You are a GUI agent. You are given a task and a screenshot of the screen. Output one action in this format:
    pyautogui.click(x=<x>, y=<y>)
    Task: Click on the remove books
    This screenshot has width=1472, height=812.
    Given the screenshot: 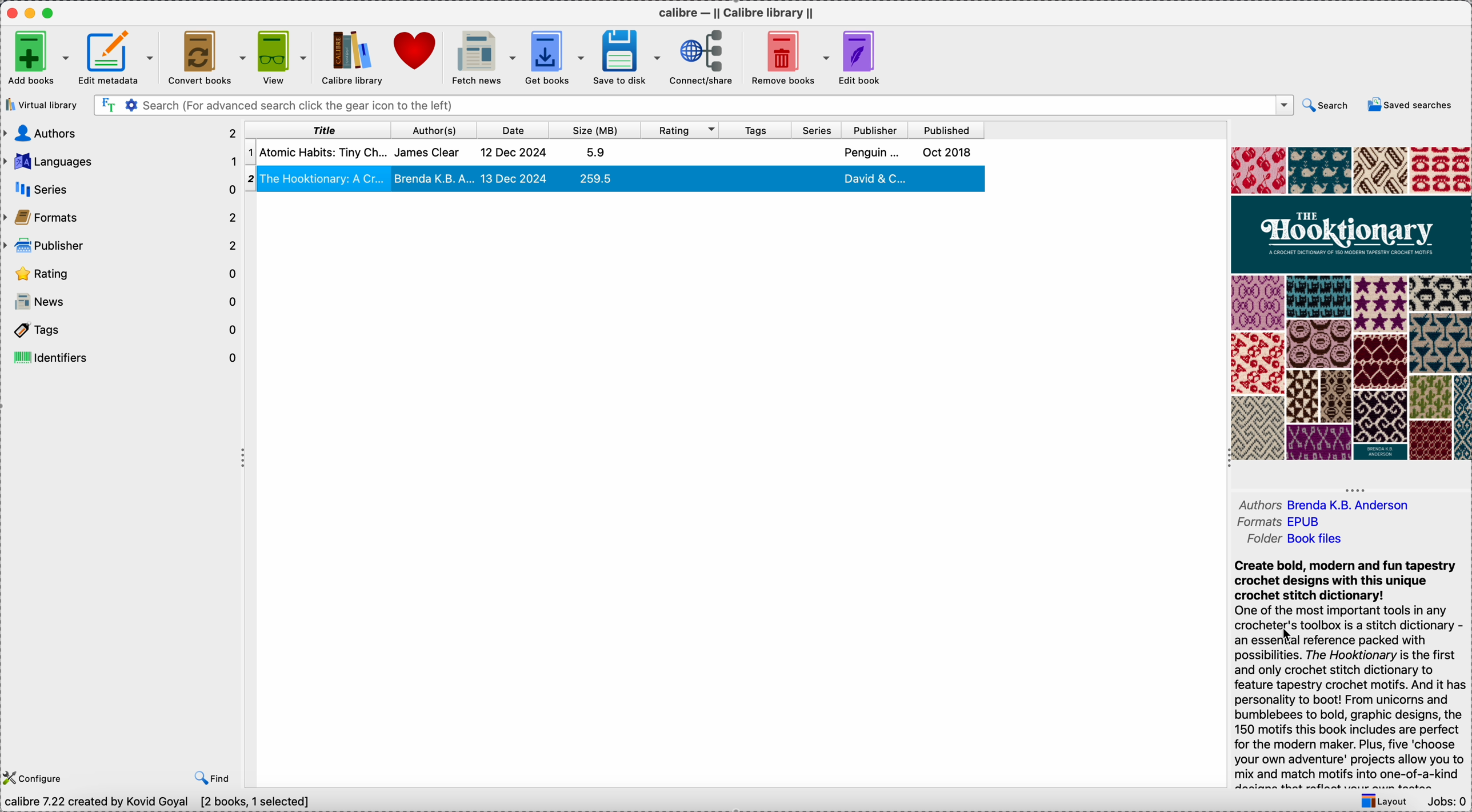 What is the action you would take?
    pyautogui.click(x=789, y=57)
    